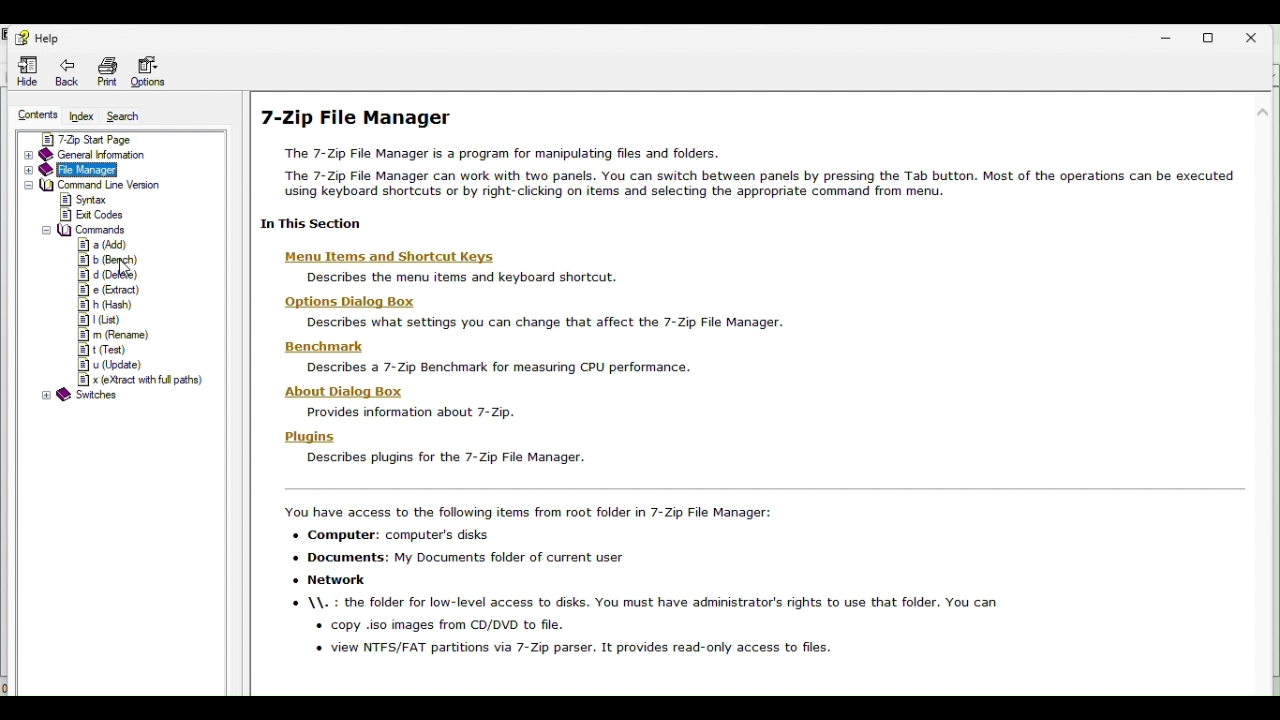 The image size is (1280, 720). I want to click on print, so click(105, 70).